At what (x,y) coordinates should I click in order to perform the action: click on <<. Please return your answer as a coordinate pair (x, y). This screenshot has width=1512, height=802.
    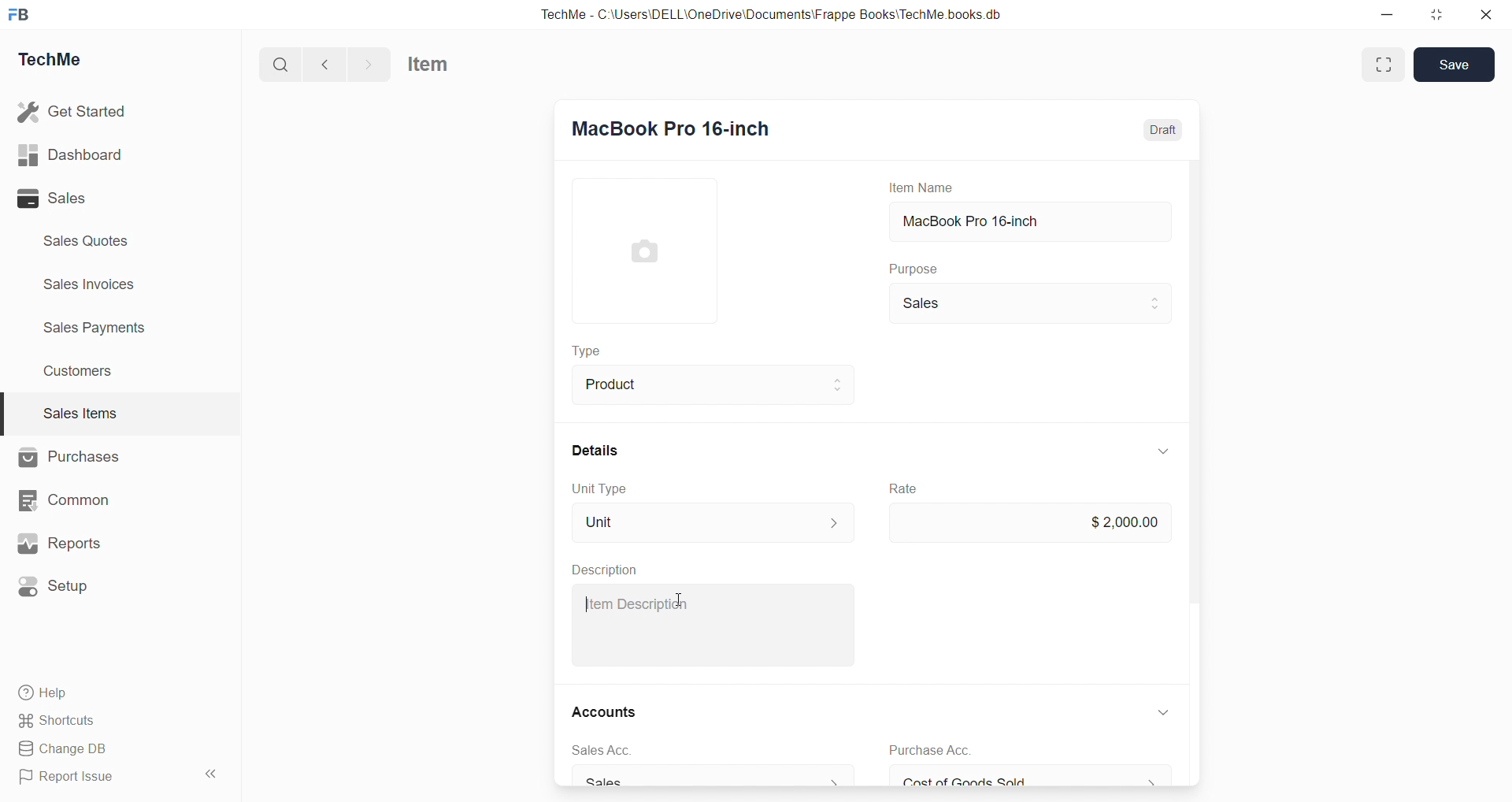
    Looking at the image, I should click on (209, 774).